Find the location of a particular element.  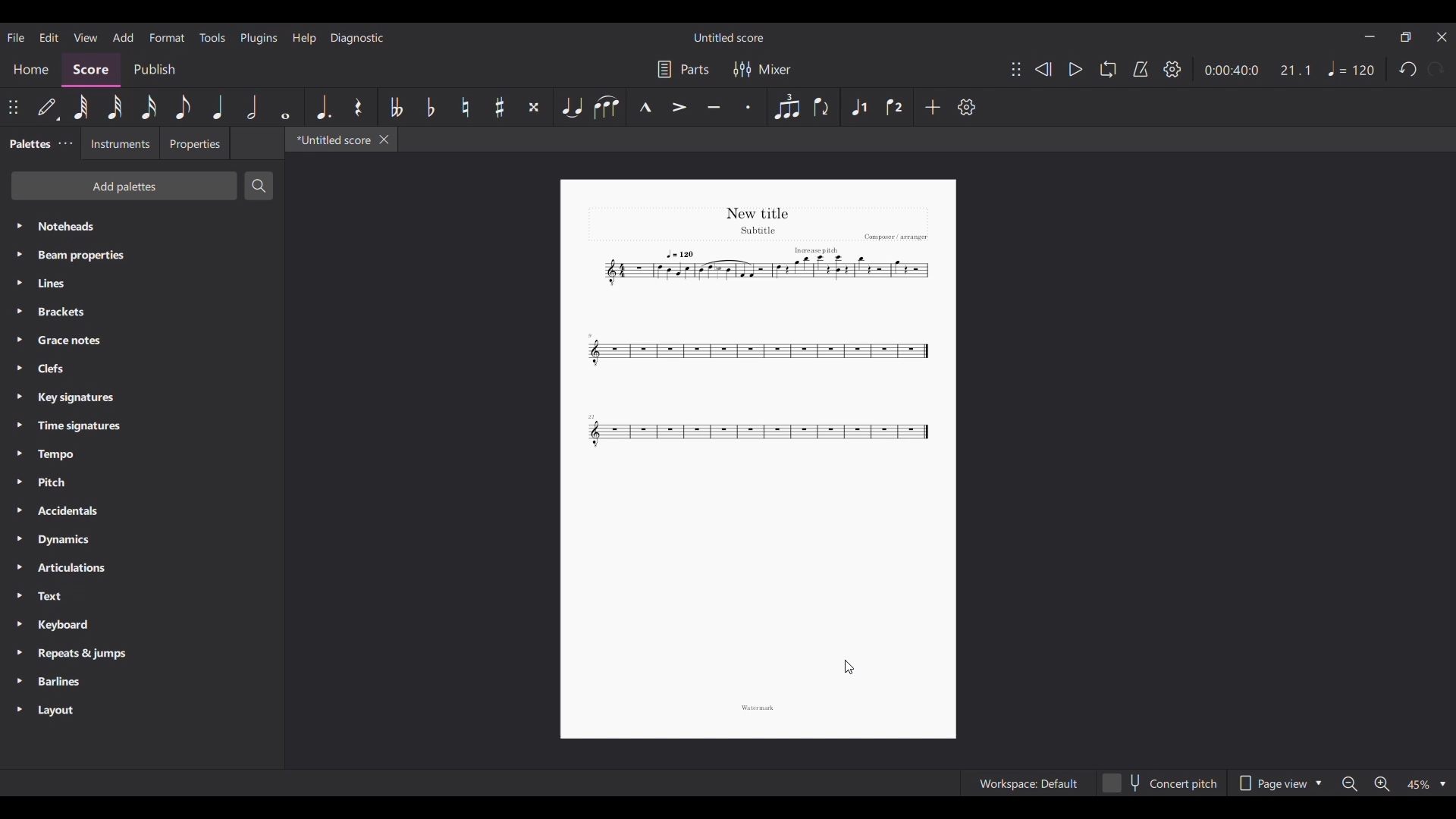

Play is located at coordinates (1077, 69).